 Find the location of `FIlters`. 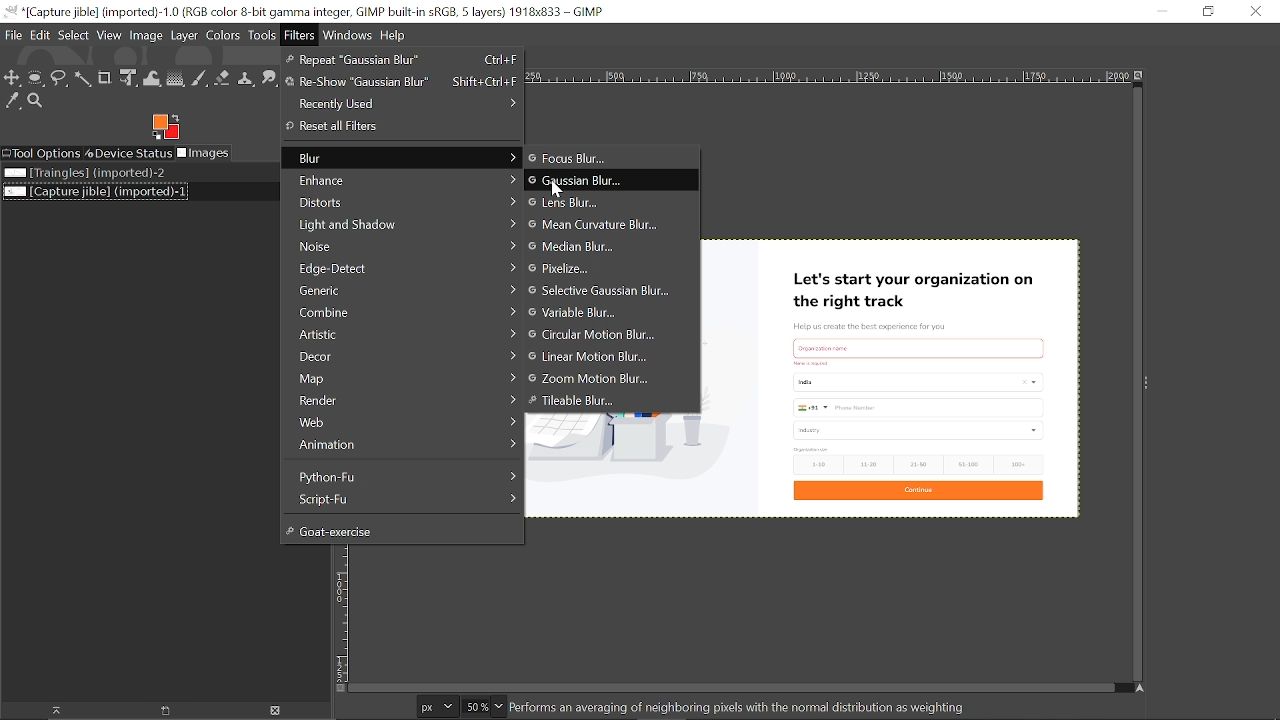

FIlters is located at coordinates (301, 35).